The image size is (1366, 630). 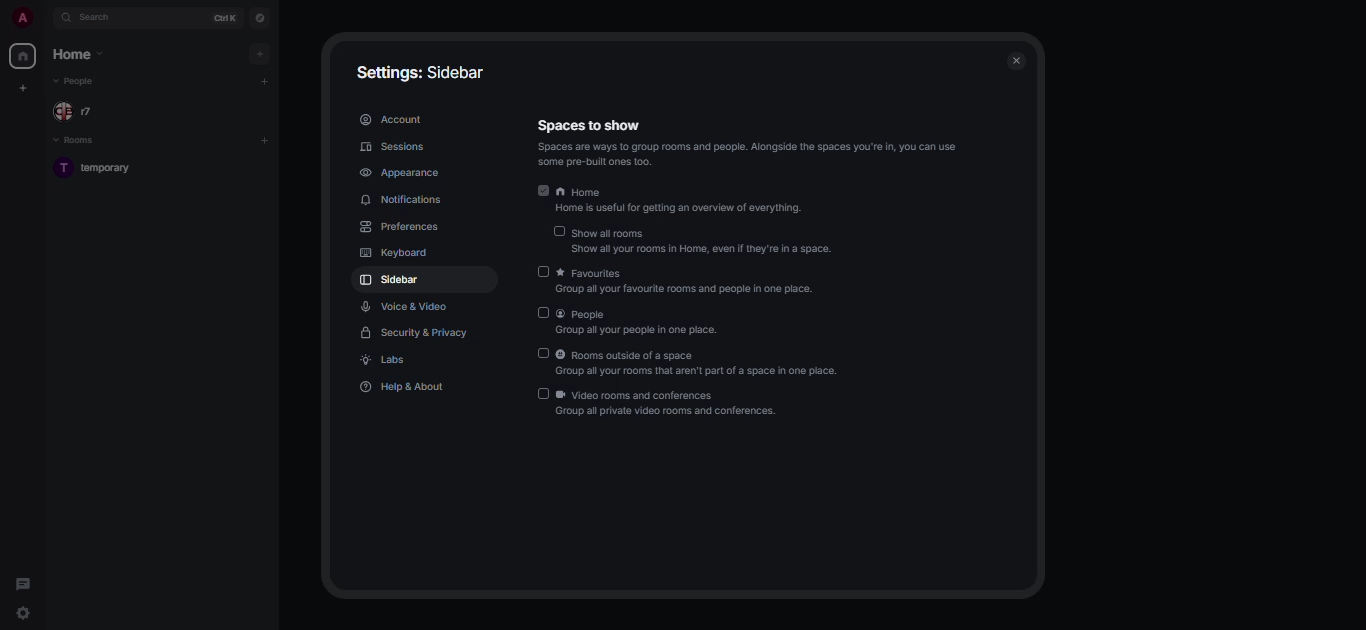 I want to click on room, so click(x=98, y=169).